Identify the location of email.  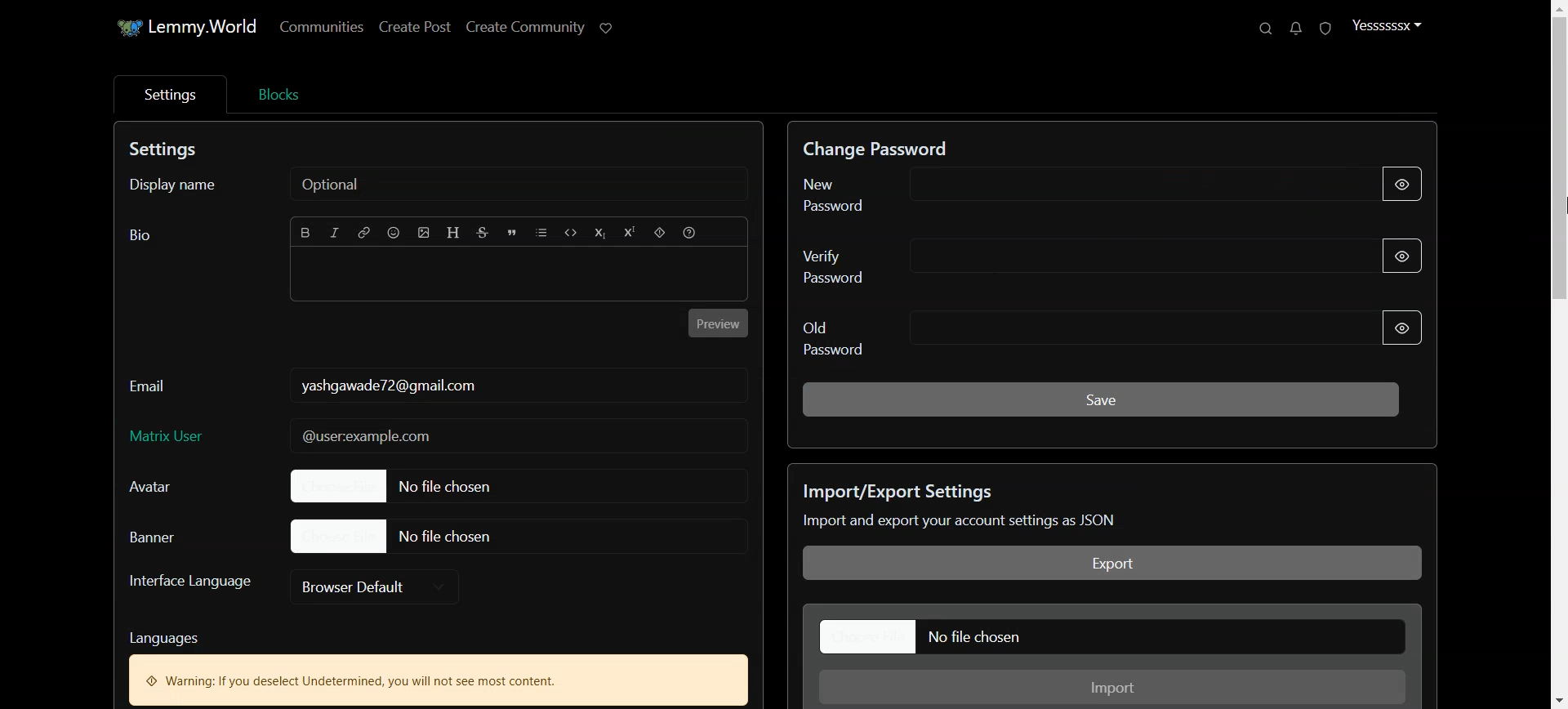
(417, 384).